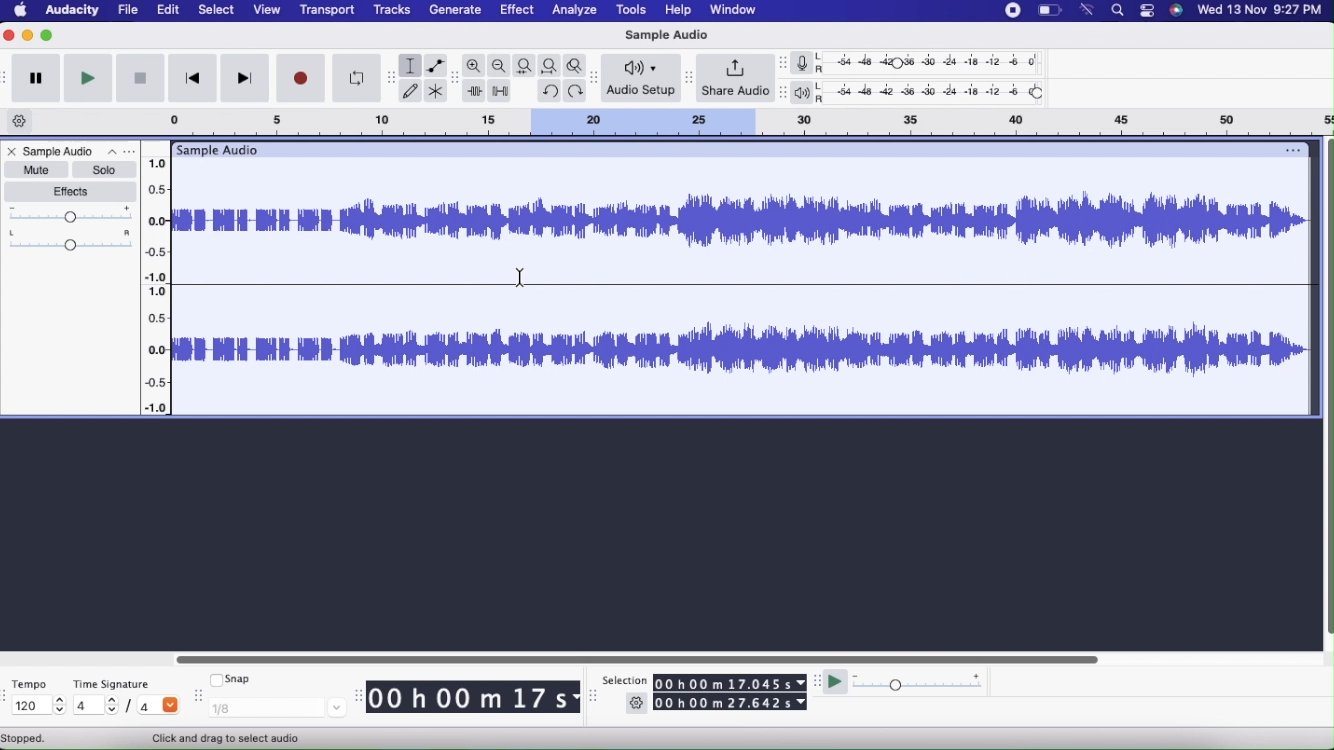  What do you see at coordinates (167, 9) in the screenshot?
I see `Edit` at bounding box center [167, 9].